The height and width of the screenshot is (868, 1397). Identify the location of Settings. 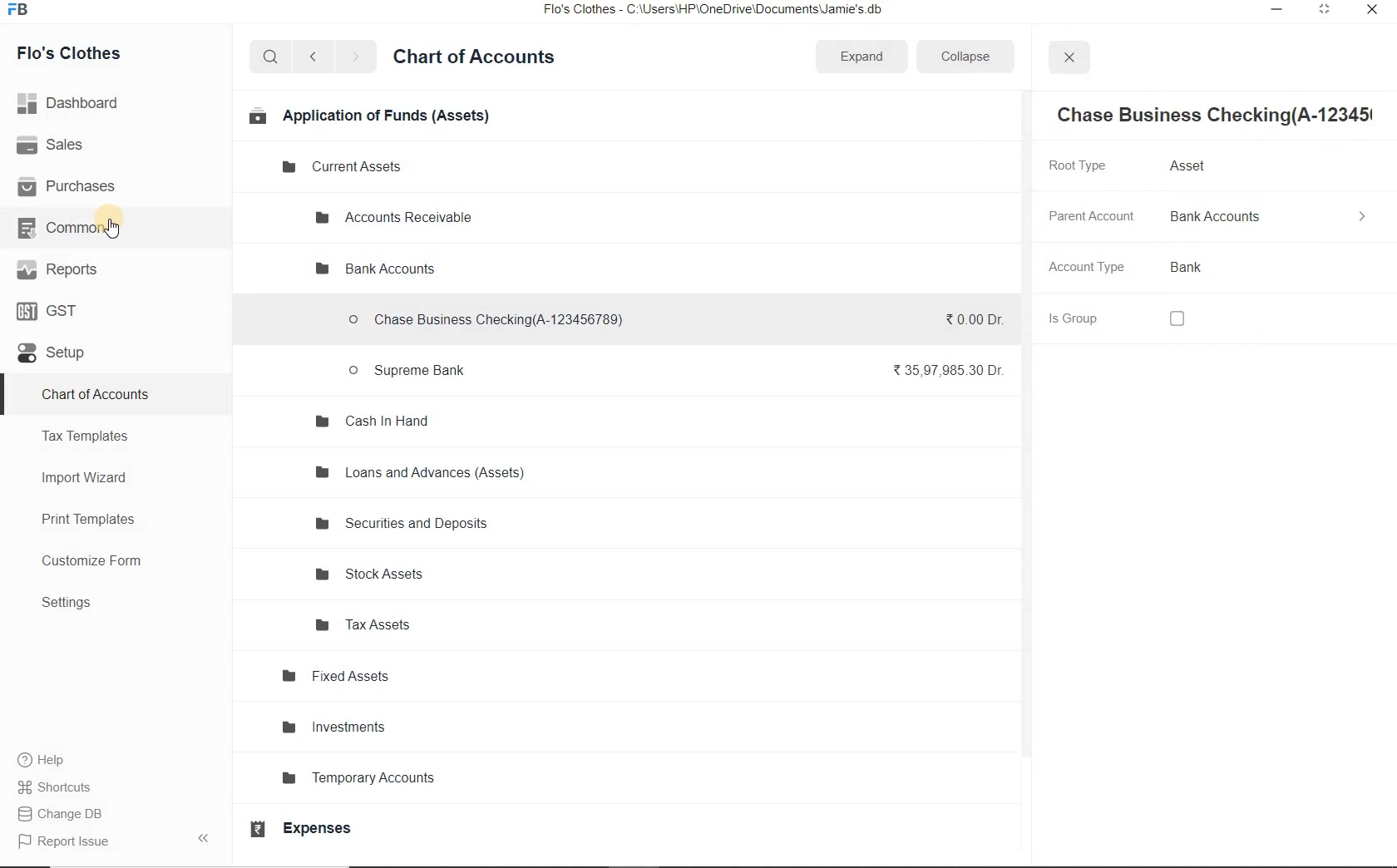
(113, 604).